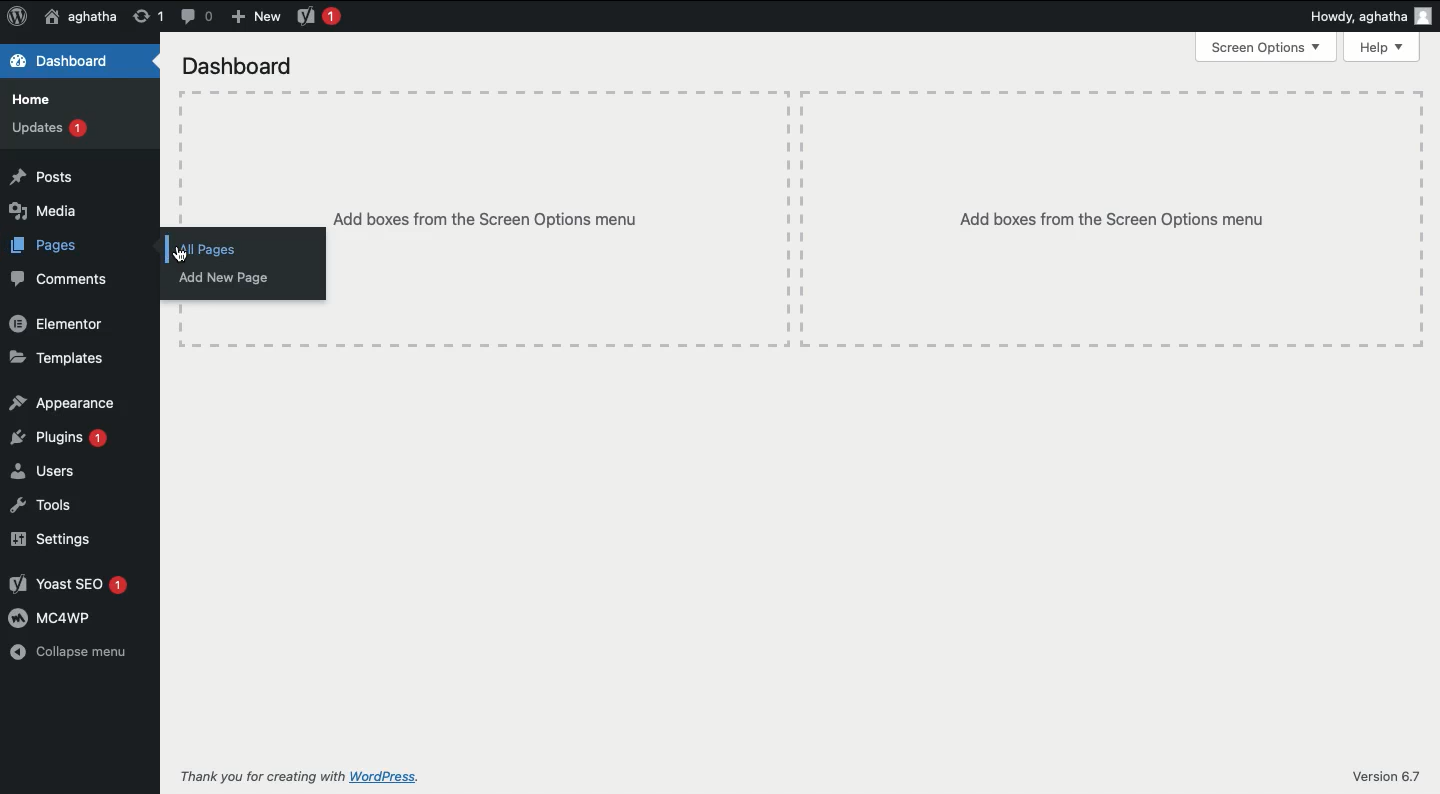 The image size is (1440, 794). What do you see at coordinates (64, 402) in the screenshot?
I see `Appearance` at bounding box center [64, 402].